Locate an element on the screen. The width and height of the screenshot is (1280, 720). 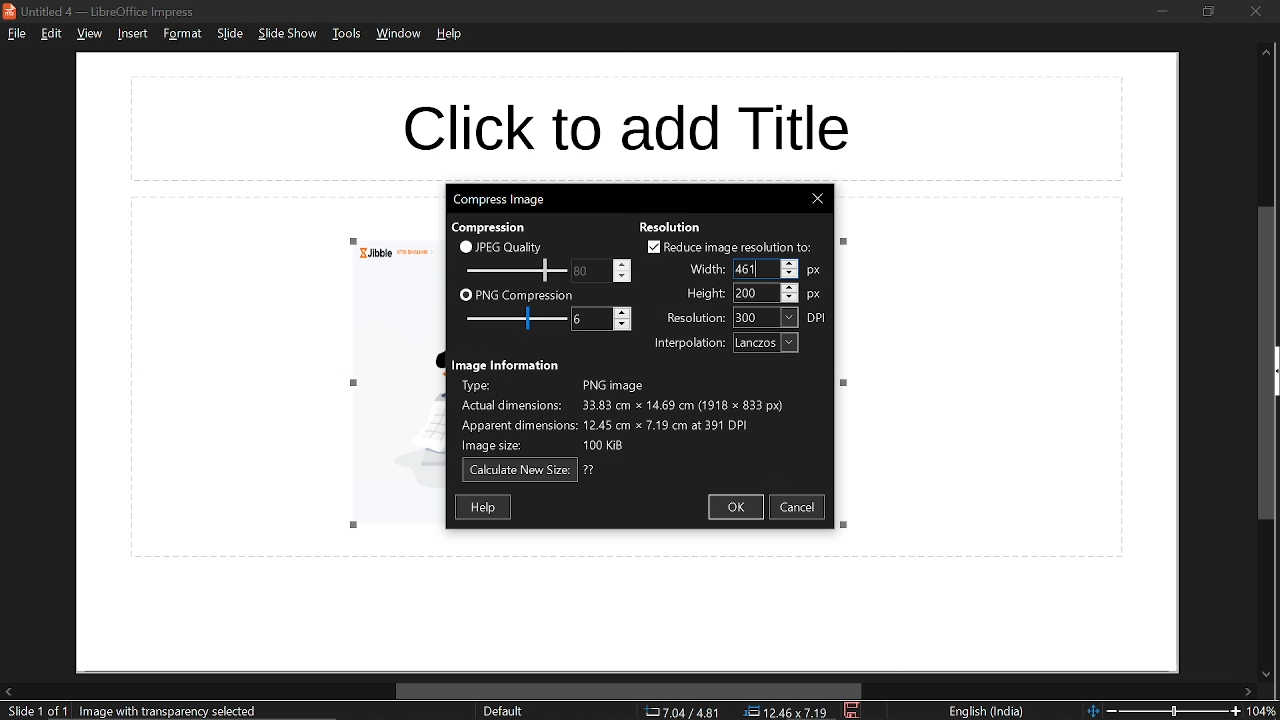
text is located at coordinates (671, 225).